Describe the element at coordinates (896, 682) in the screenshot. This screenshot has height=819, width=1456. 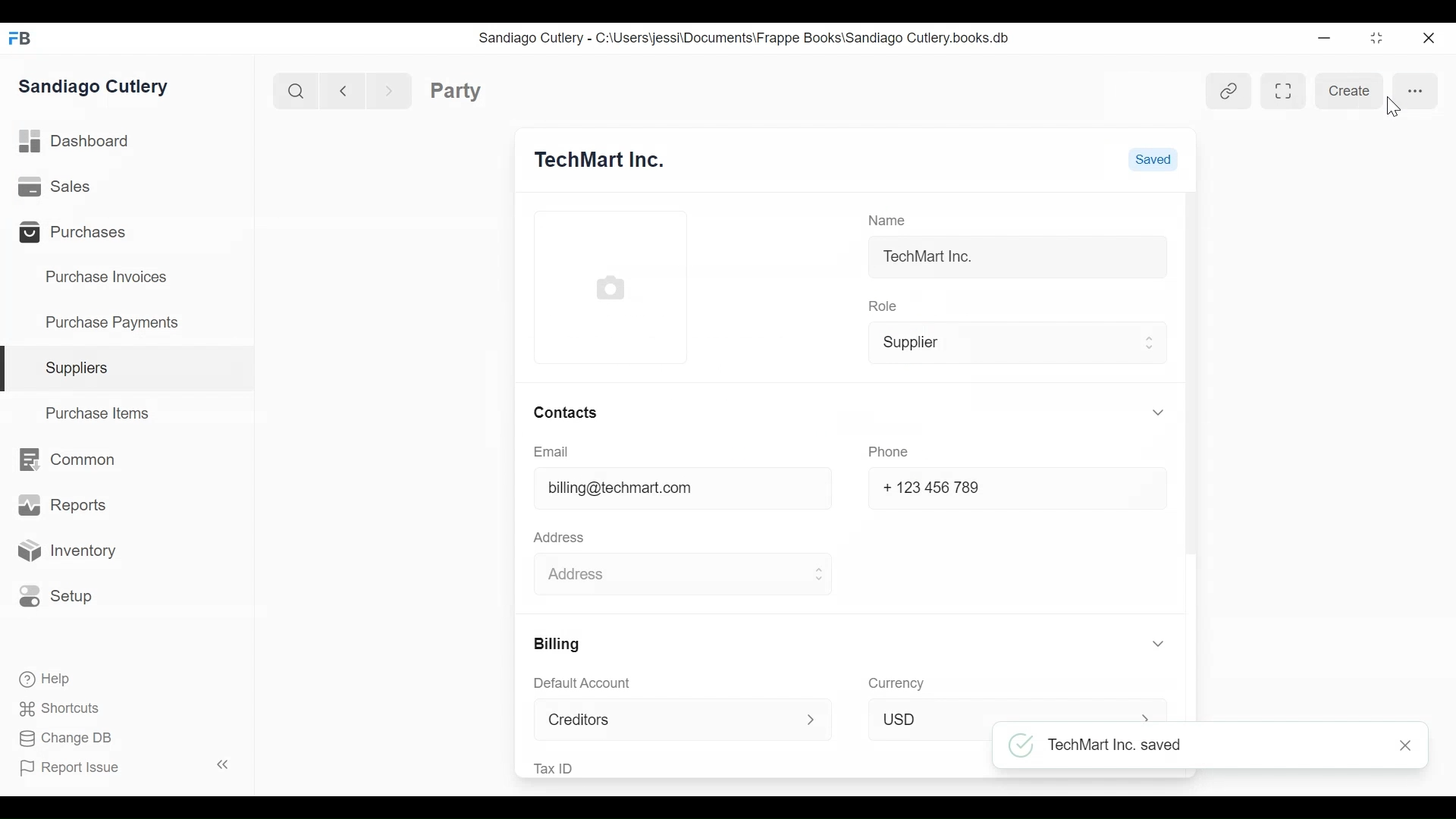
I see `Currency` at that location.